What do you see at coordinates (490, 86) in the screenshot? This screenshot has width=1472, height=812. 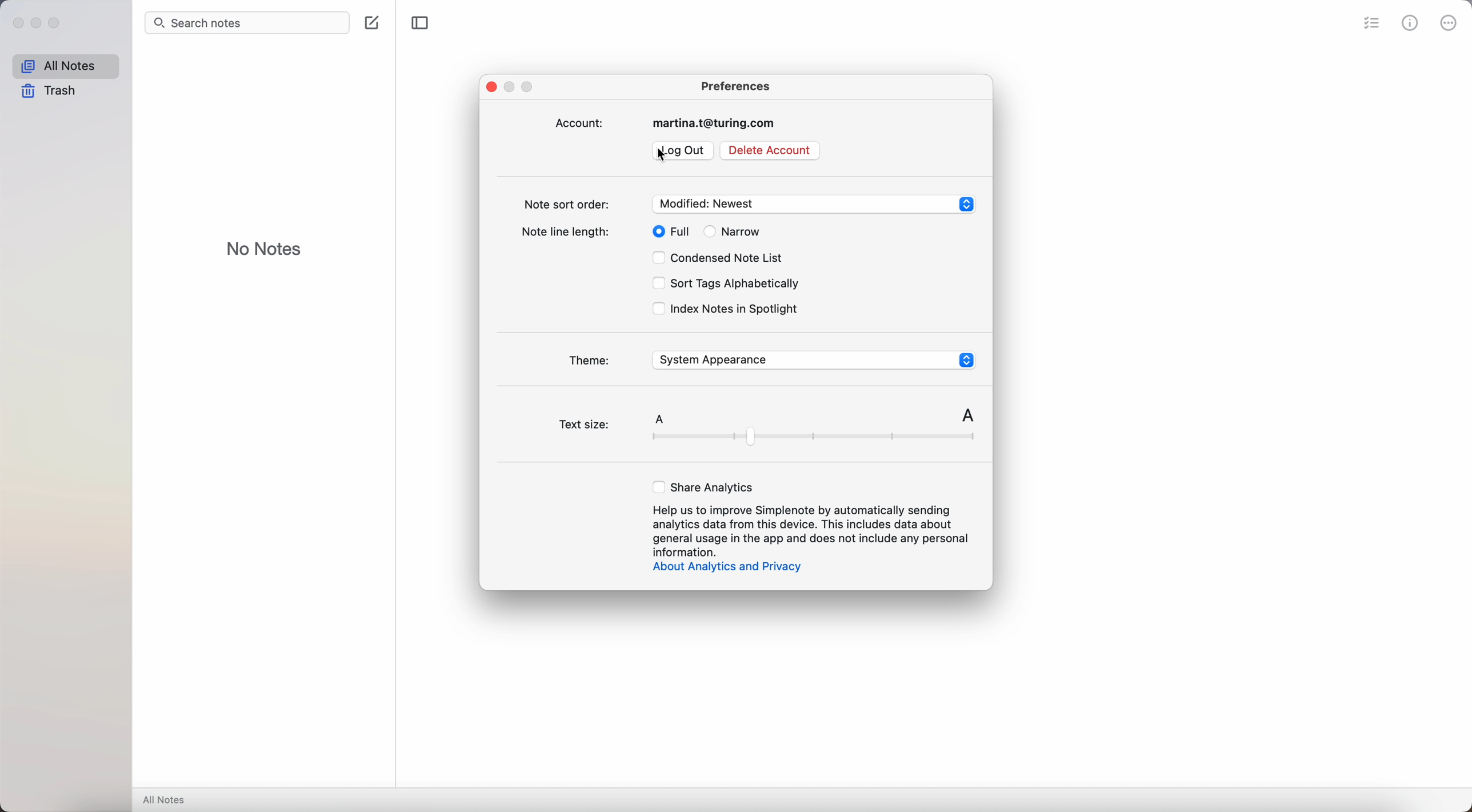 I see `close popup` at bounding box center [490, 86].